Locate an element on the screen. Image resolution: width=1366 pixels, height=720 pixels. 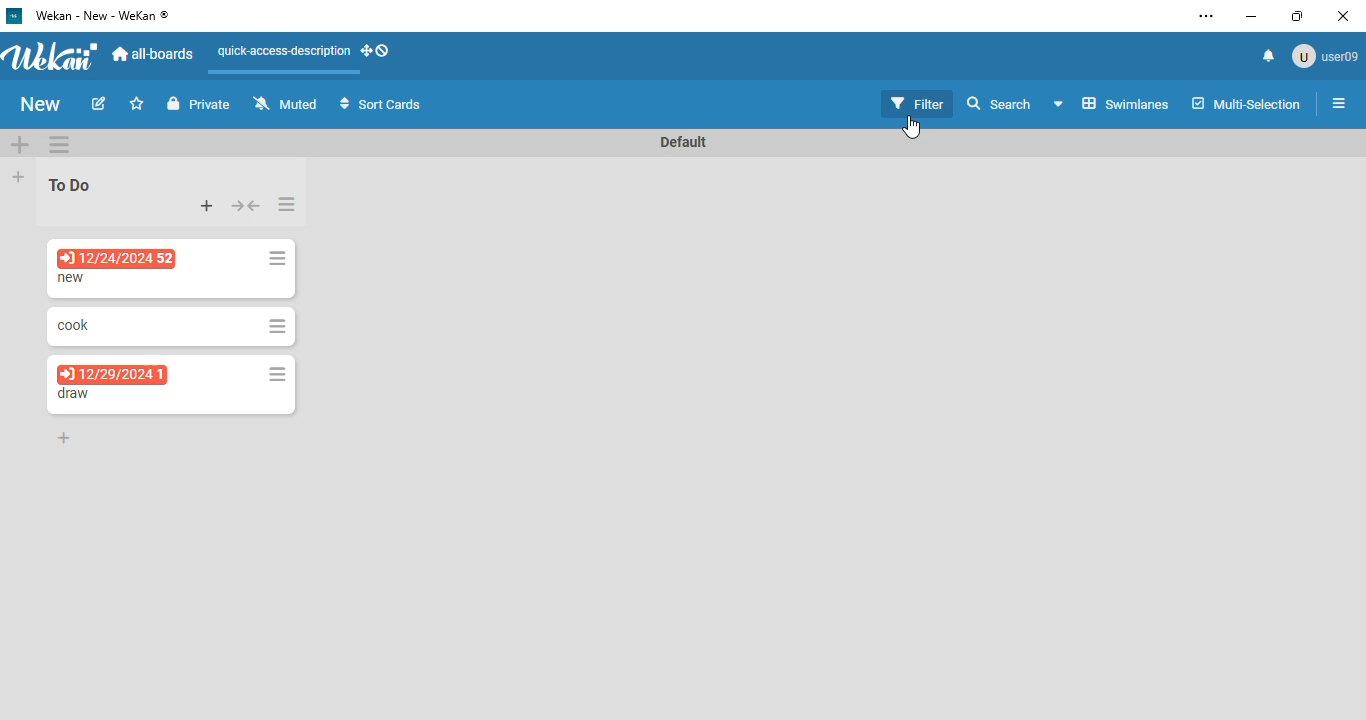
sort cards is located at coordinates (380, 103).